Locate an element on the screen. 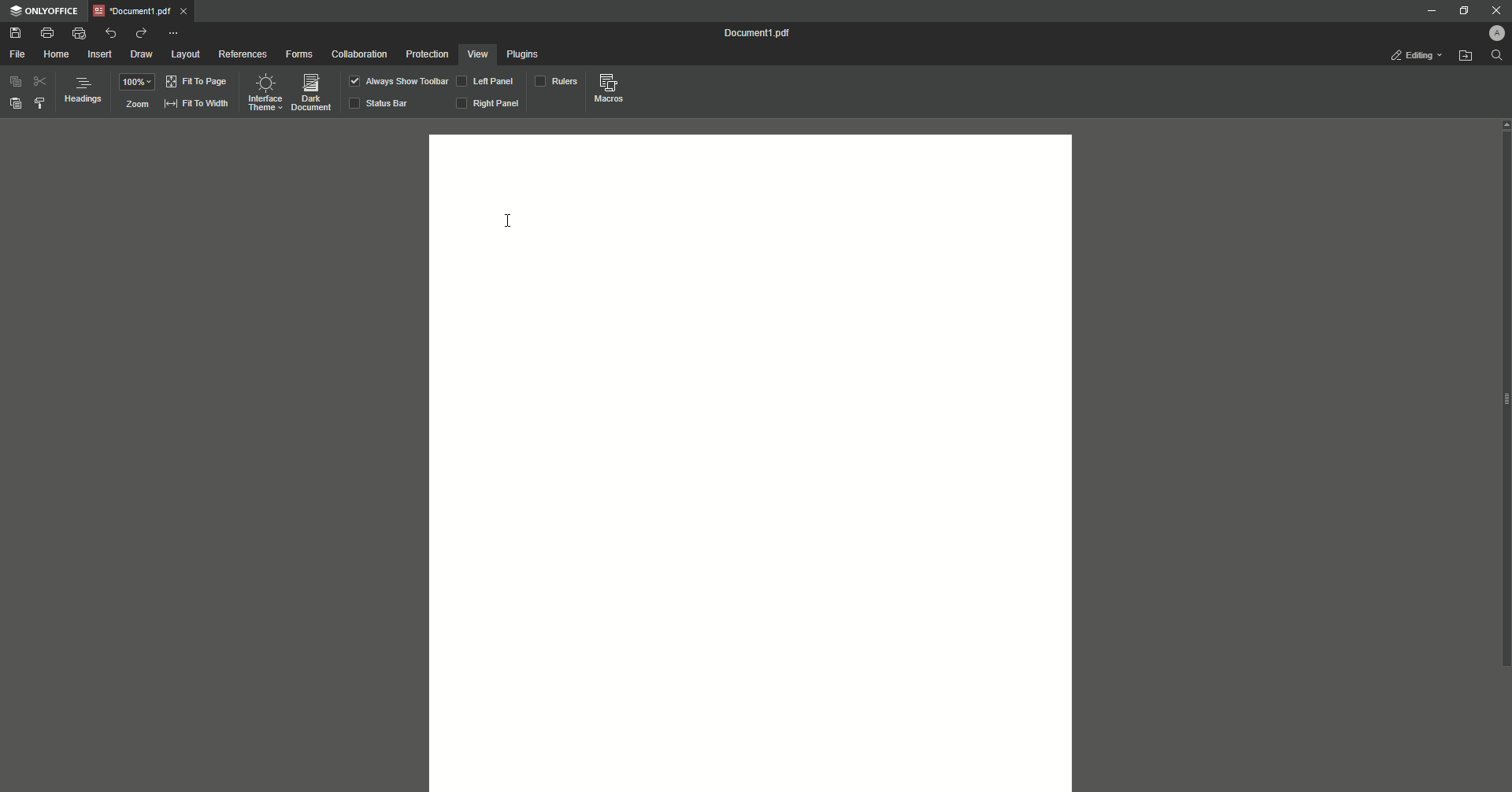 The height and width of the screenshot is (792, 1512). Forms is located at coordinates (299, 54).